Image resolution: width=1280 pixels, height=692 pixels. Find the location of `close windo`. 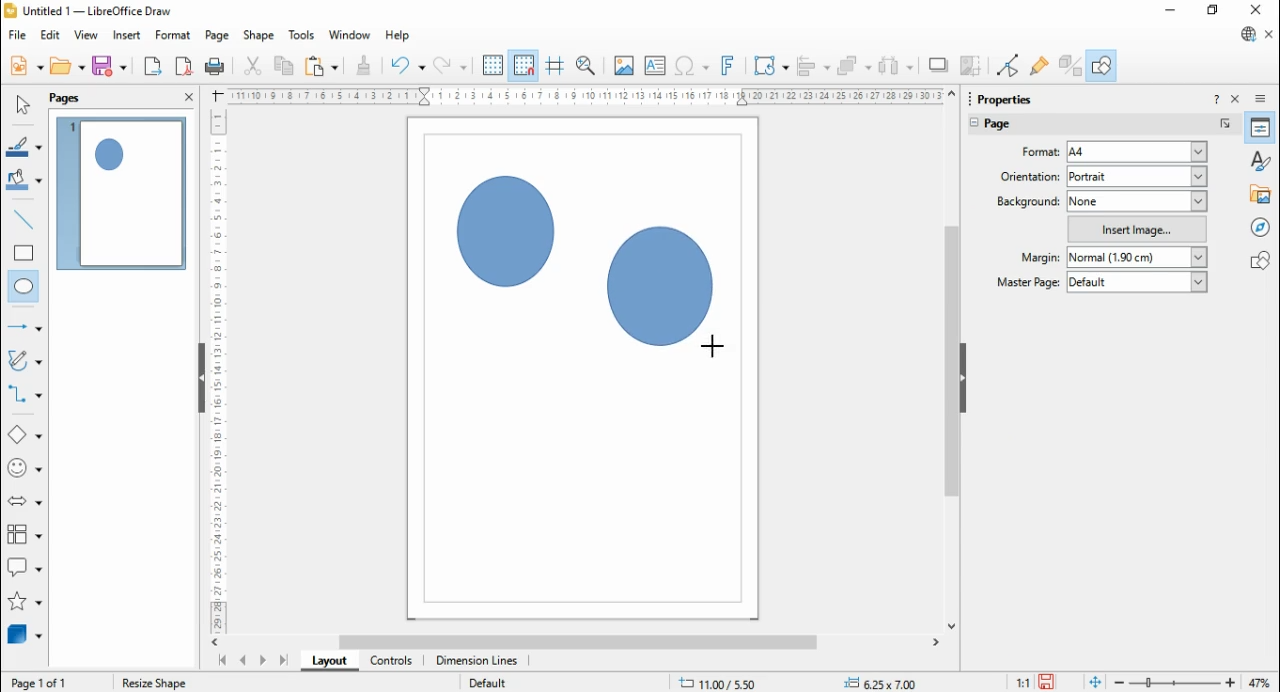

close windo is located at coordinates (1259, 11).